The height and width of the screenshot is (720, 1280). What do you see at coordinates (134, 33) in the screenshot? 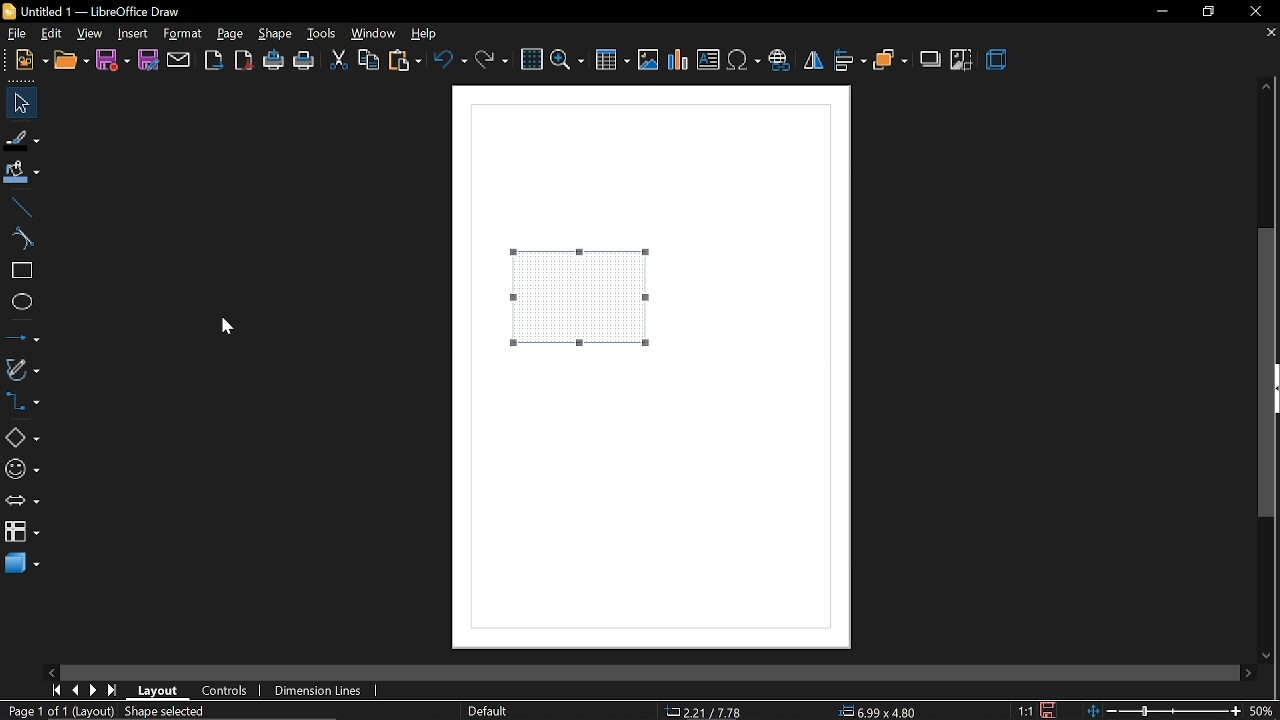
I see `insert` at bounding box center [134, 33].